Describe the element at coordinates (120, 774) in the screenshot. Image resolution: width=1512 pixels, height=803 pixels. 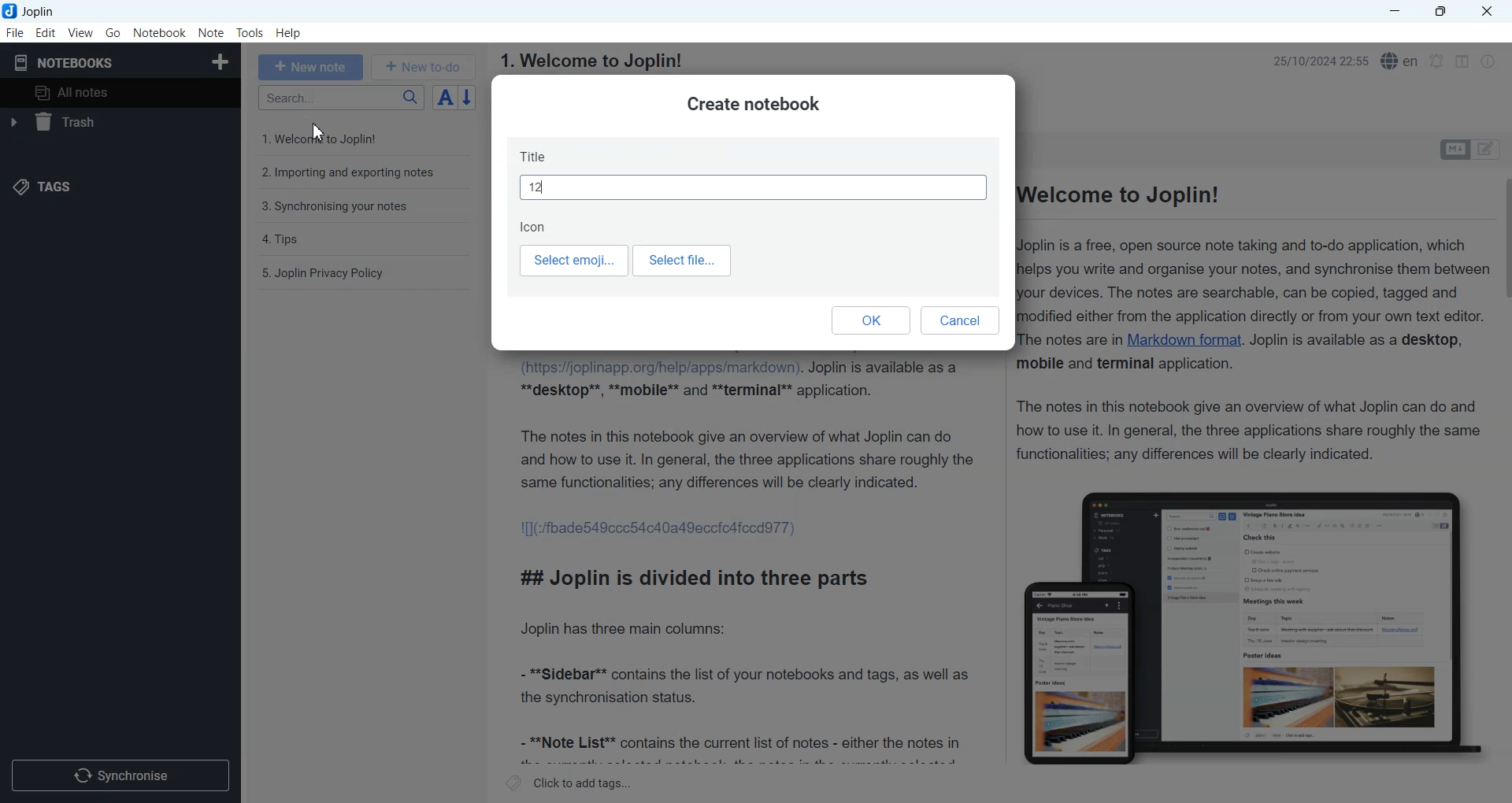
I see `Synchronize` at that location.